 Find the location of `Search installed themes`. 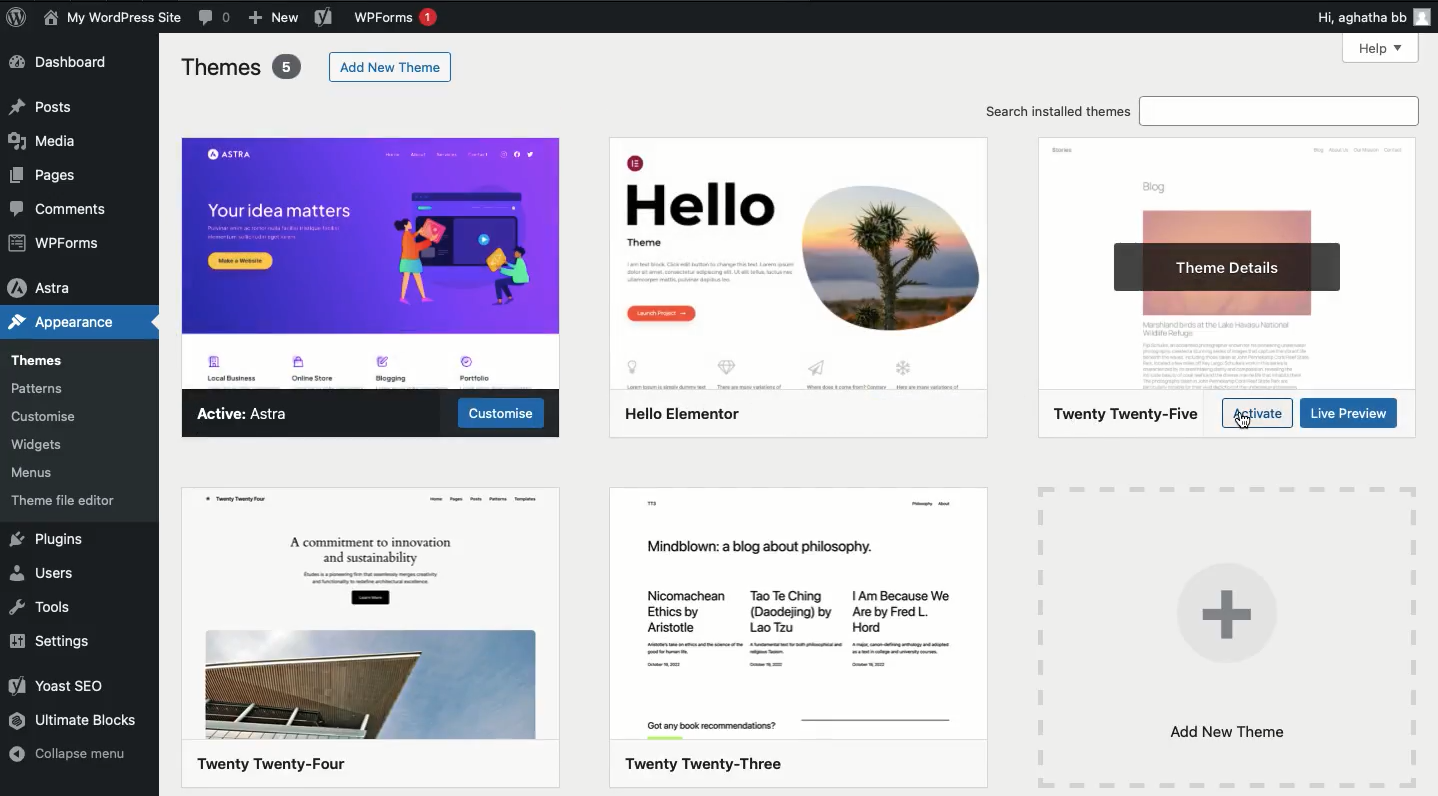

Search installed themes is located at coordinates (1058, 112).